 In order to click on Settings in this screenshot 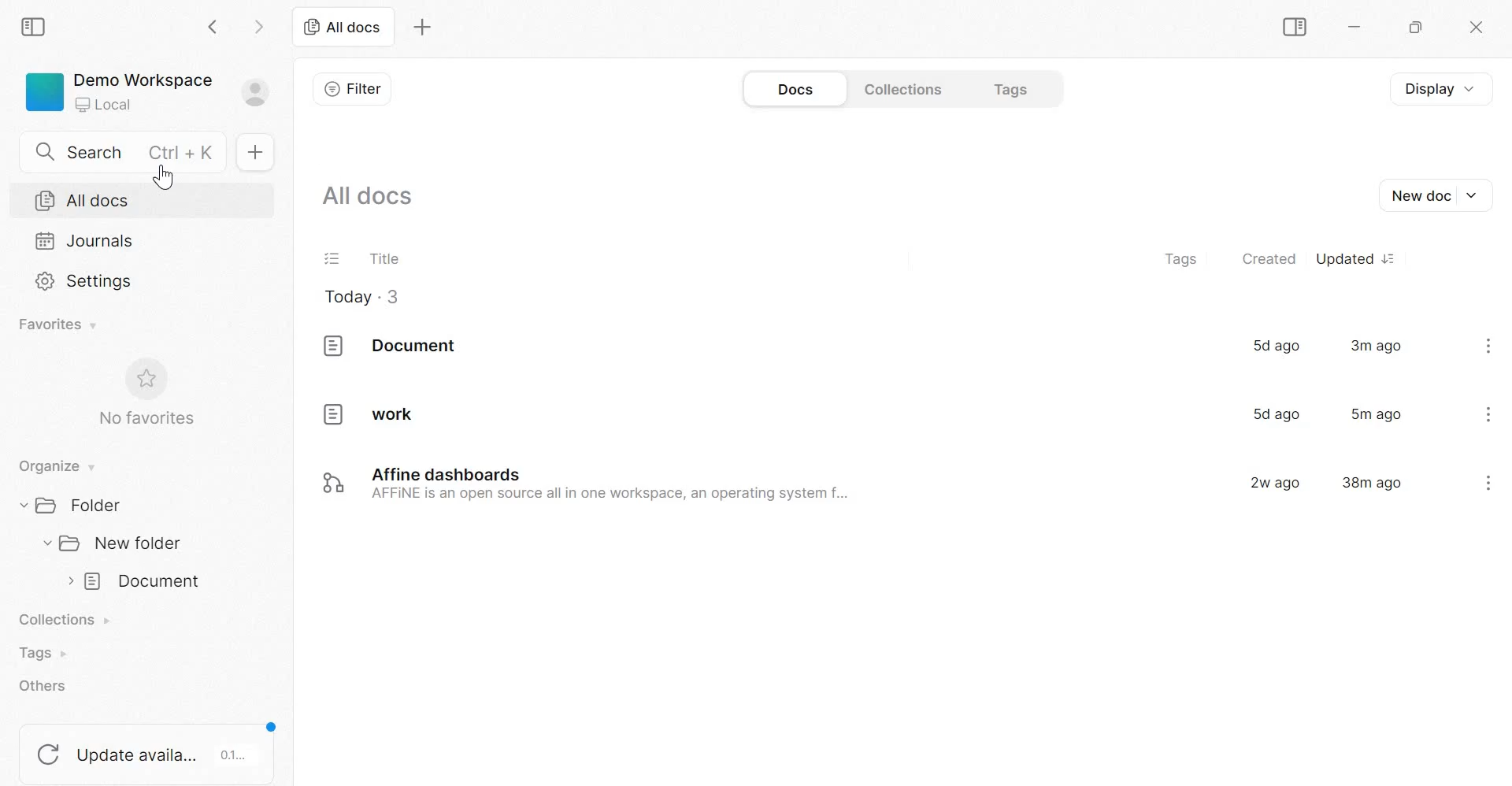, I will do `click(86, 280)`.